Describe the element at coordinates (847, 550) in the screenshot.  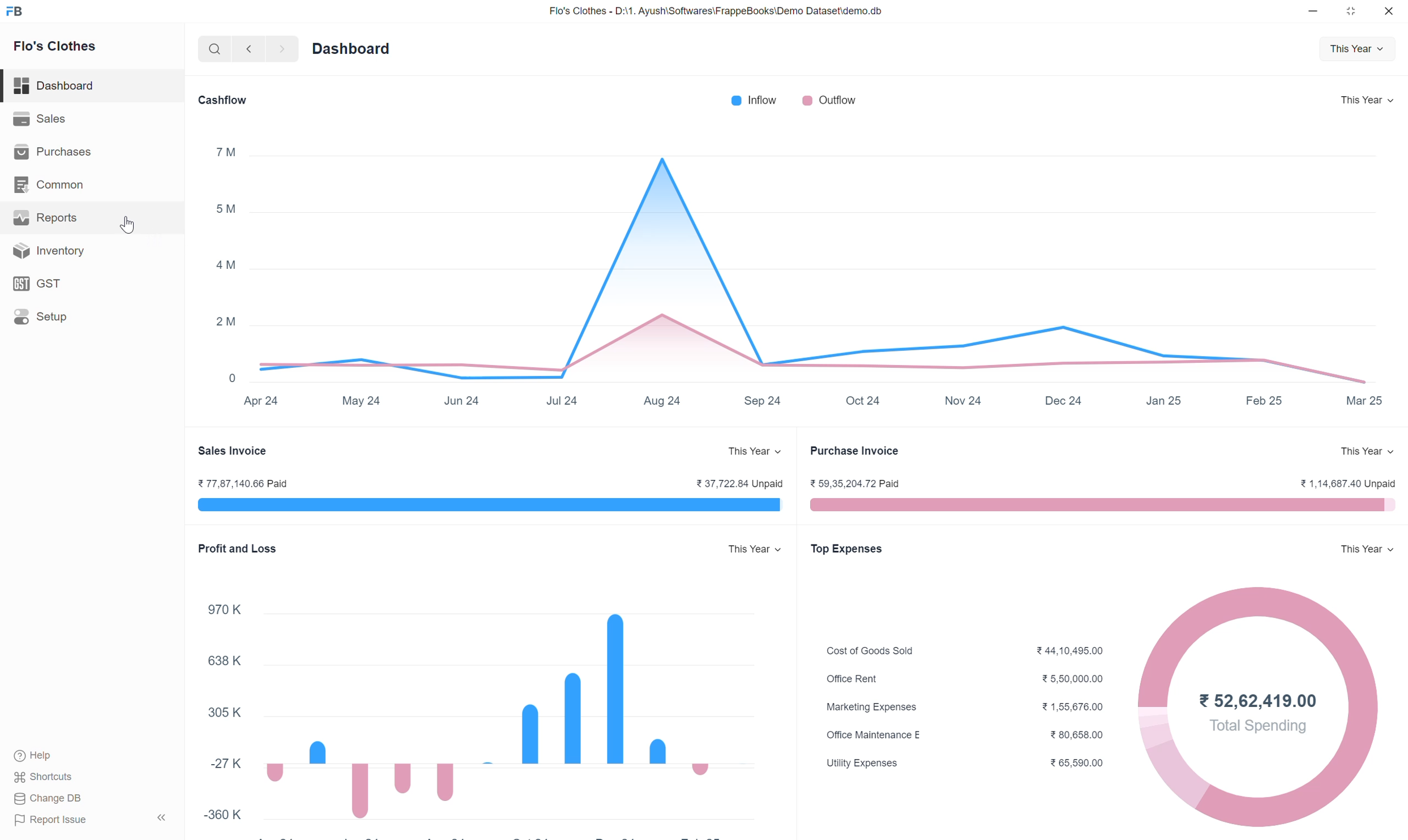
I see `Top Expenses` at that location.